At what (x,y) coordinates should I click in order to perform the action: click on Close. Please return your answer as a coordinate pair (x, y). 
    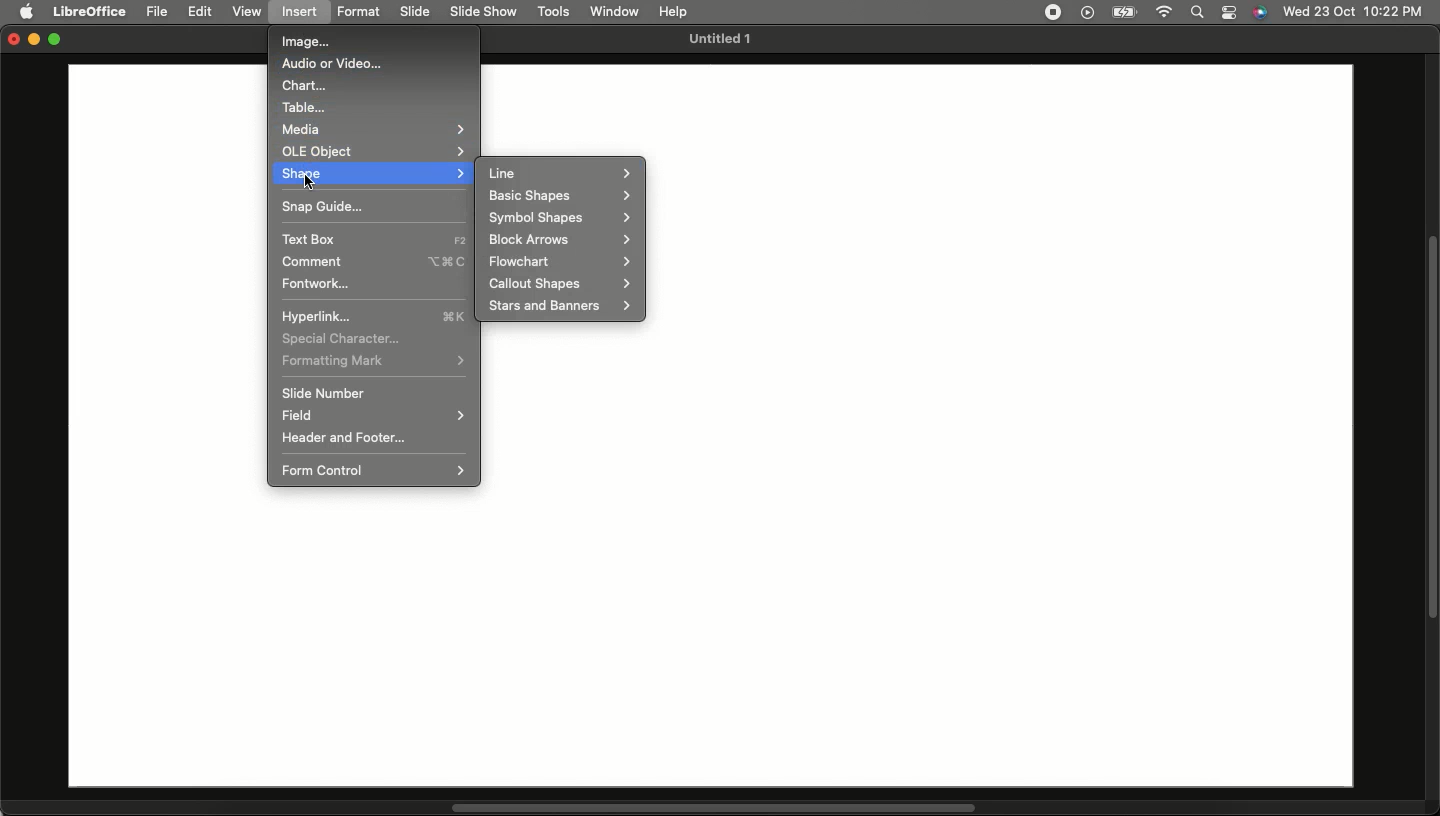
    Looking at the image, I should click on (10, 41).